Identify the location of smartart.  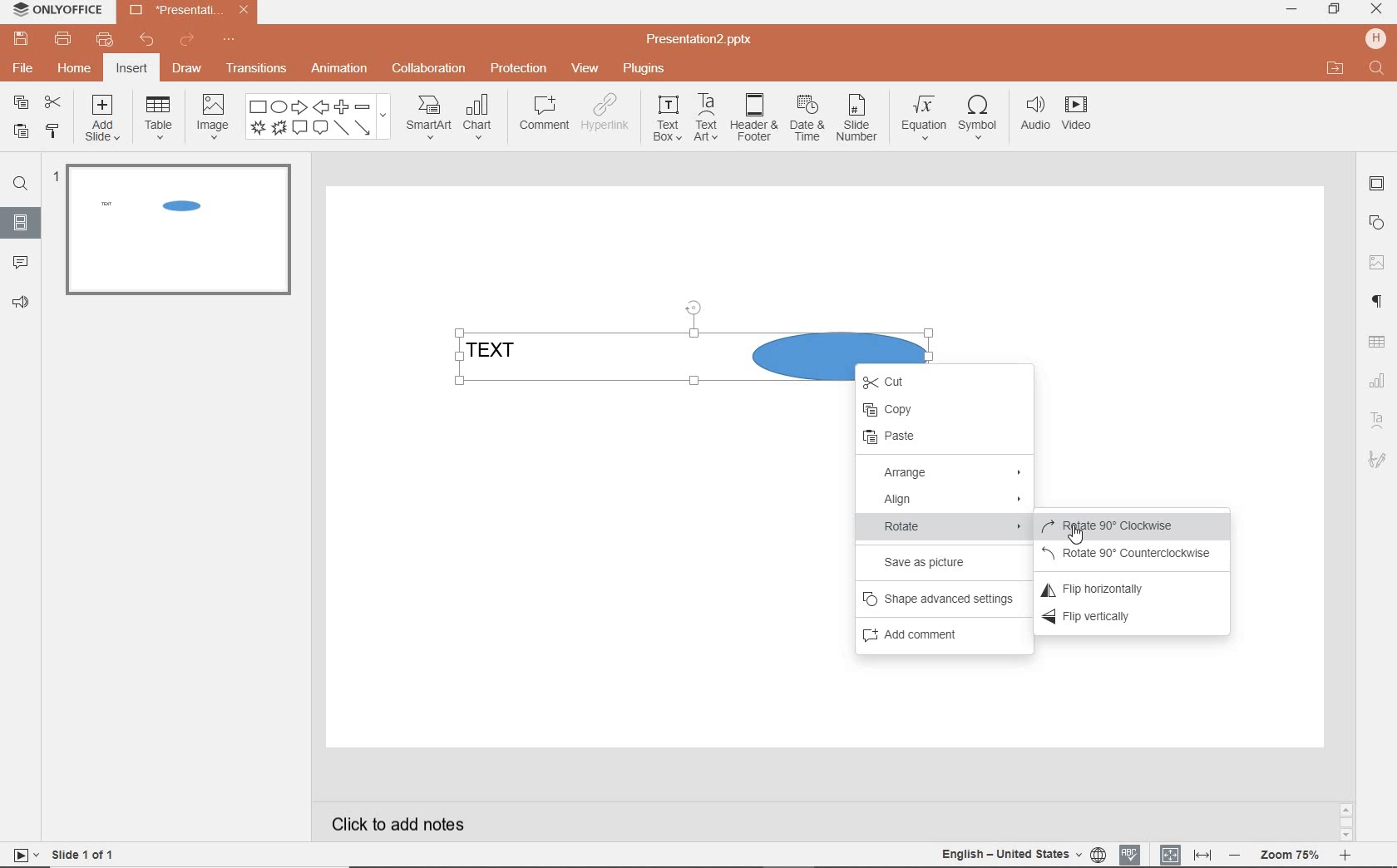
(428, 116).